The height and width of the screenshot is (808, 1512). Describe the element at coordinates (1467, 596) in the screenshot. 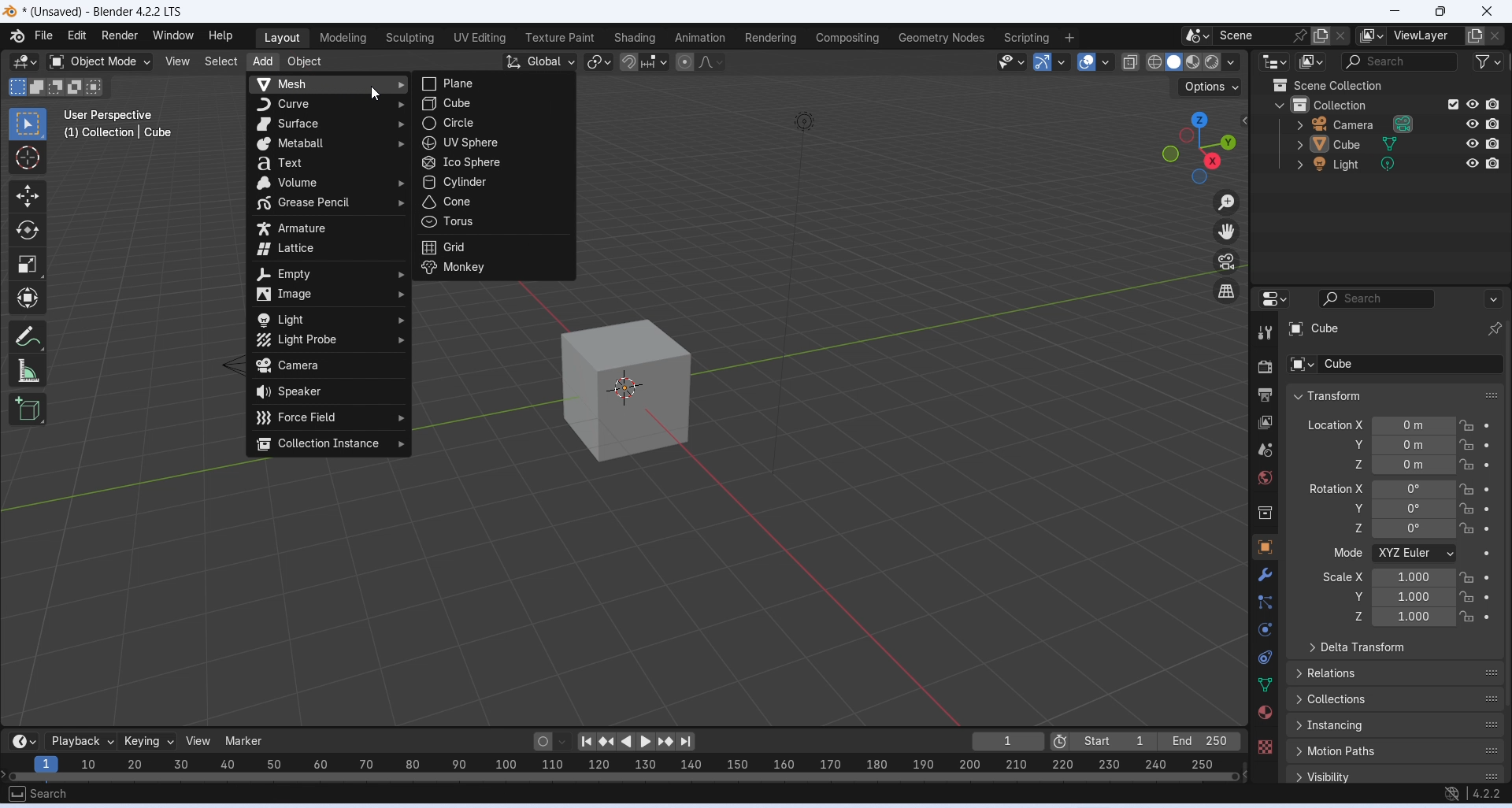

I see `lock location` at that location.